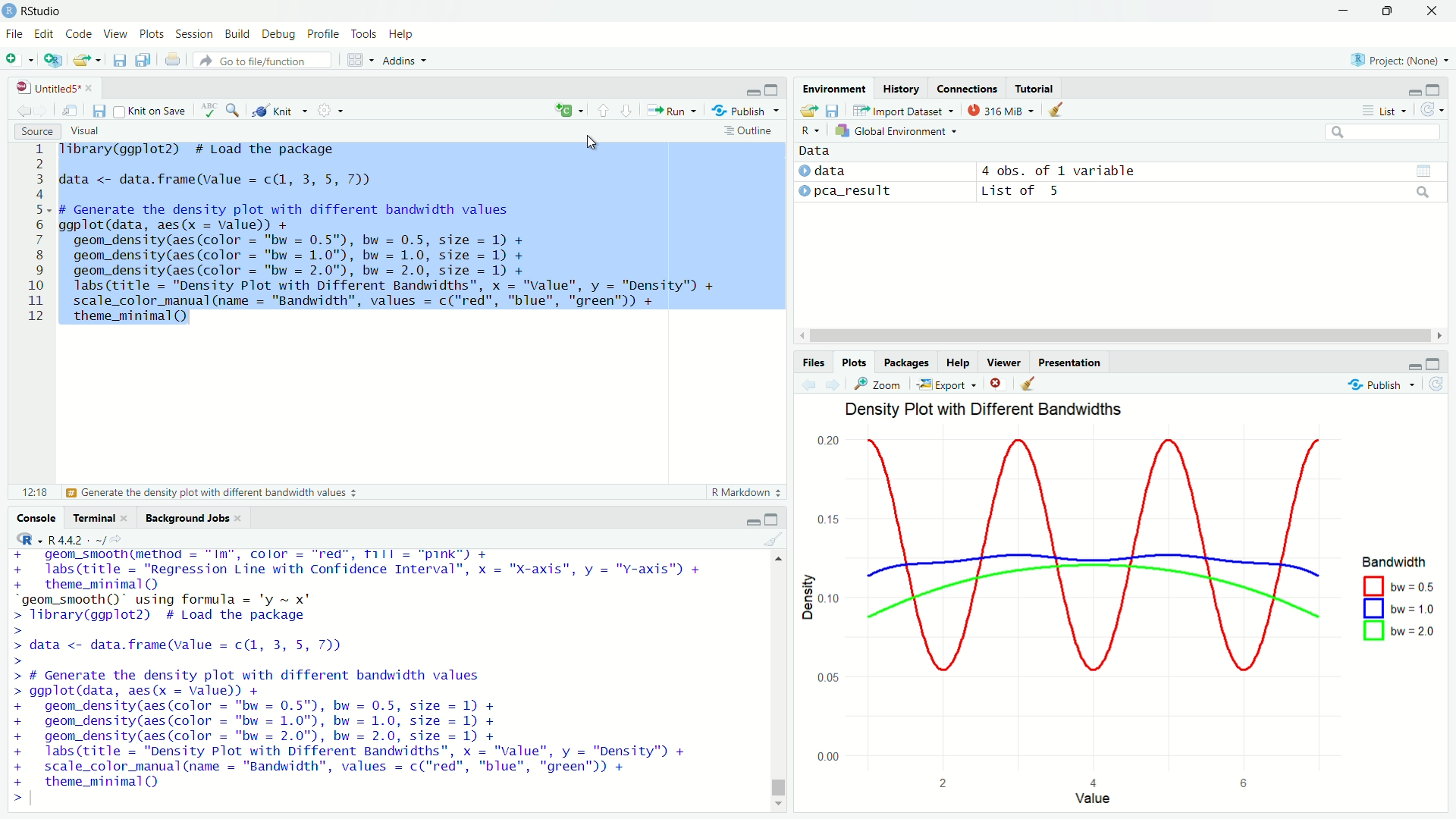 The height and width of the screenshot is (819, 1456). Describe the element at coordinates (1388, 11) in the screenshot. I see `restore` at that location.